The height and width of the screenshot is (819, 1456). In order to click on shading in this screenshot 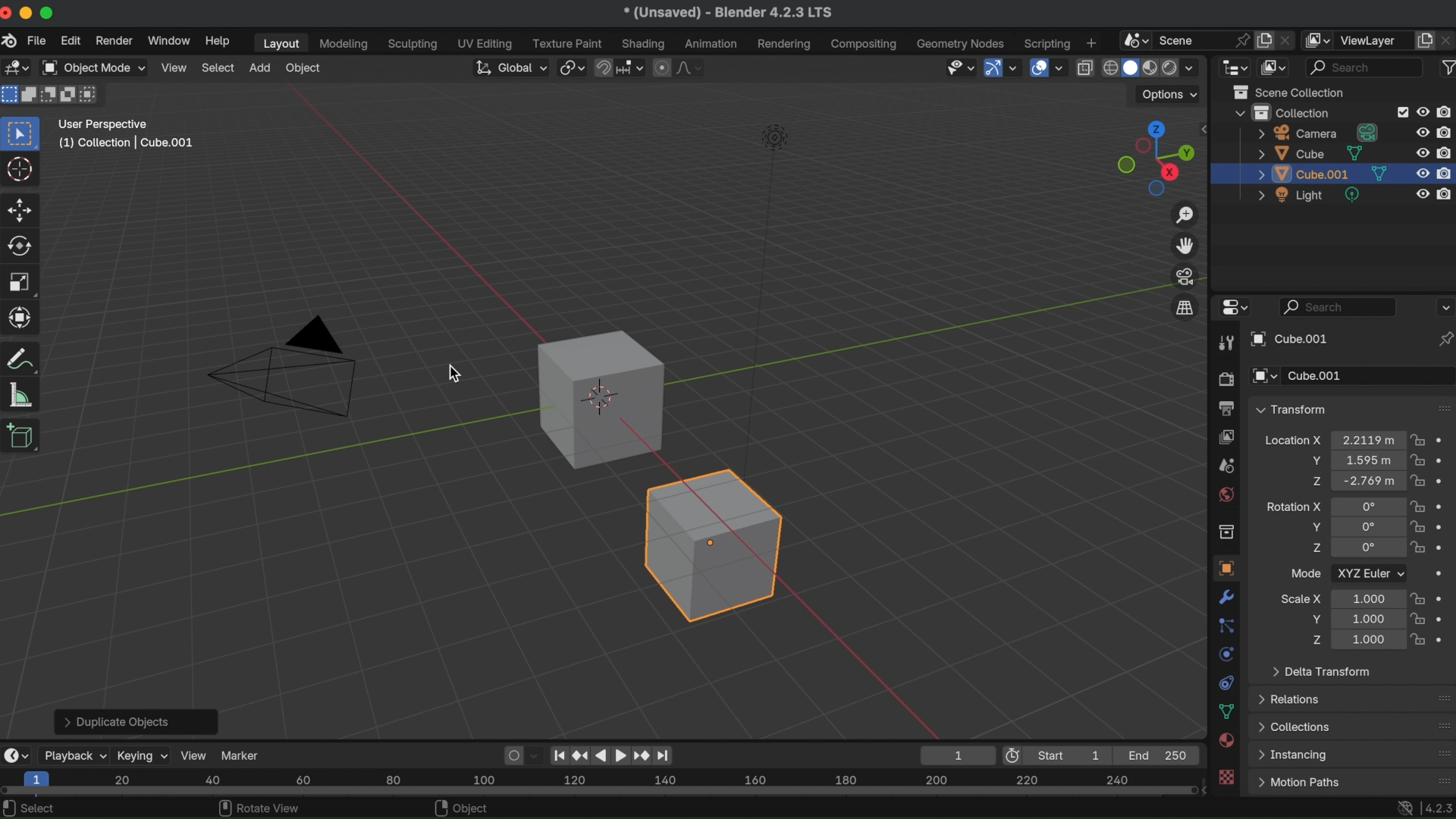, I will do `click(1196, 67)`.